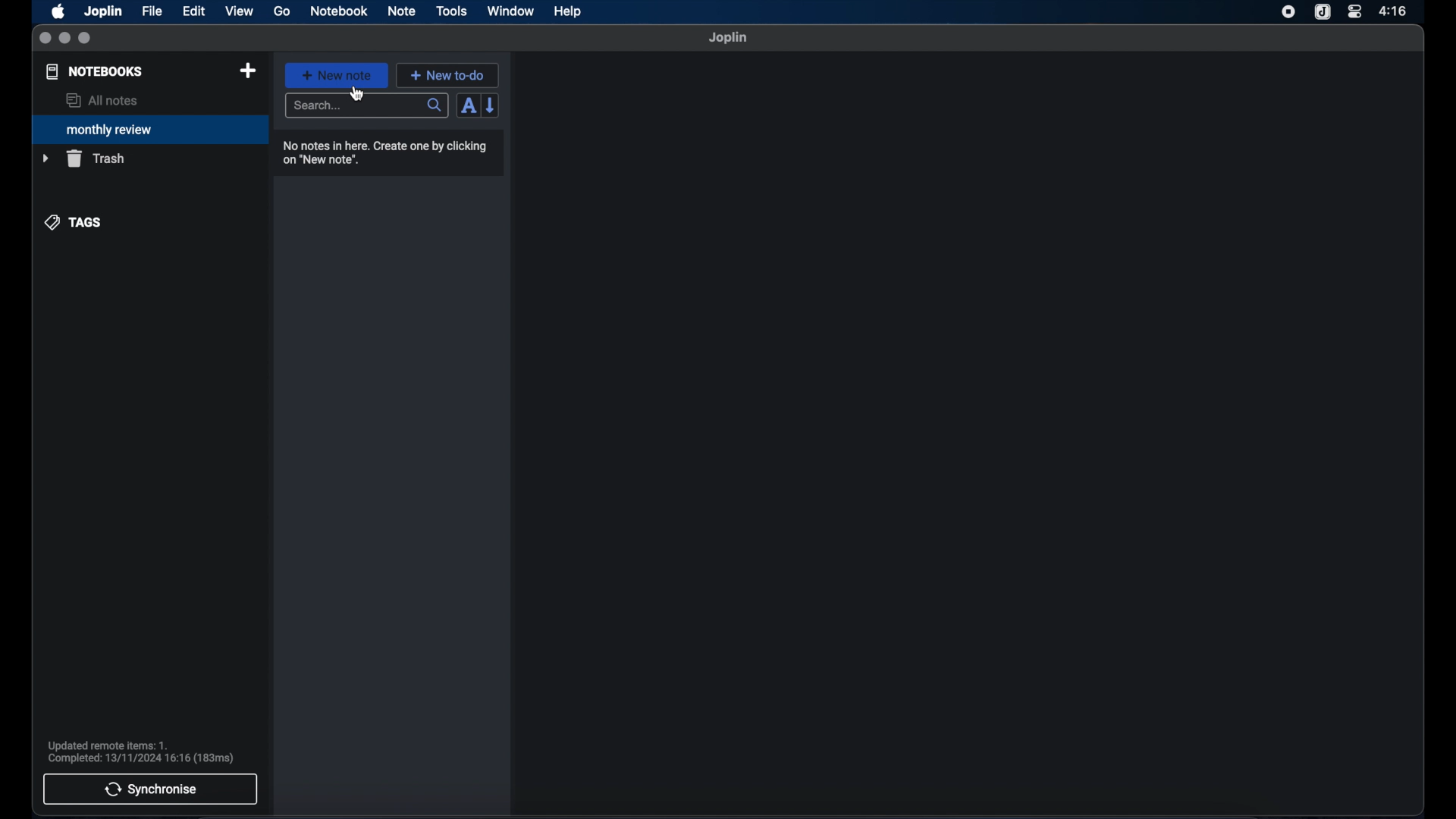  I want to click on edit, so click(195, 11).